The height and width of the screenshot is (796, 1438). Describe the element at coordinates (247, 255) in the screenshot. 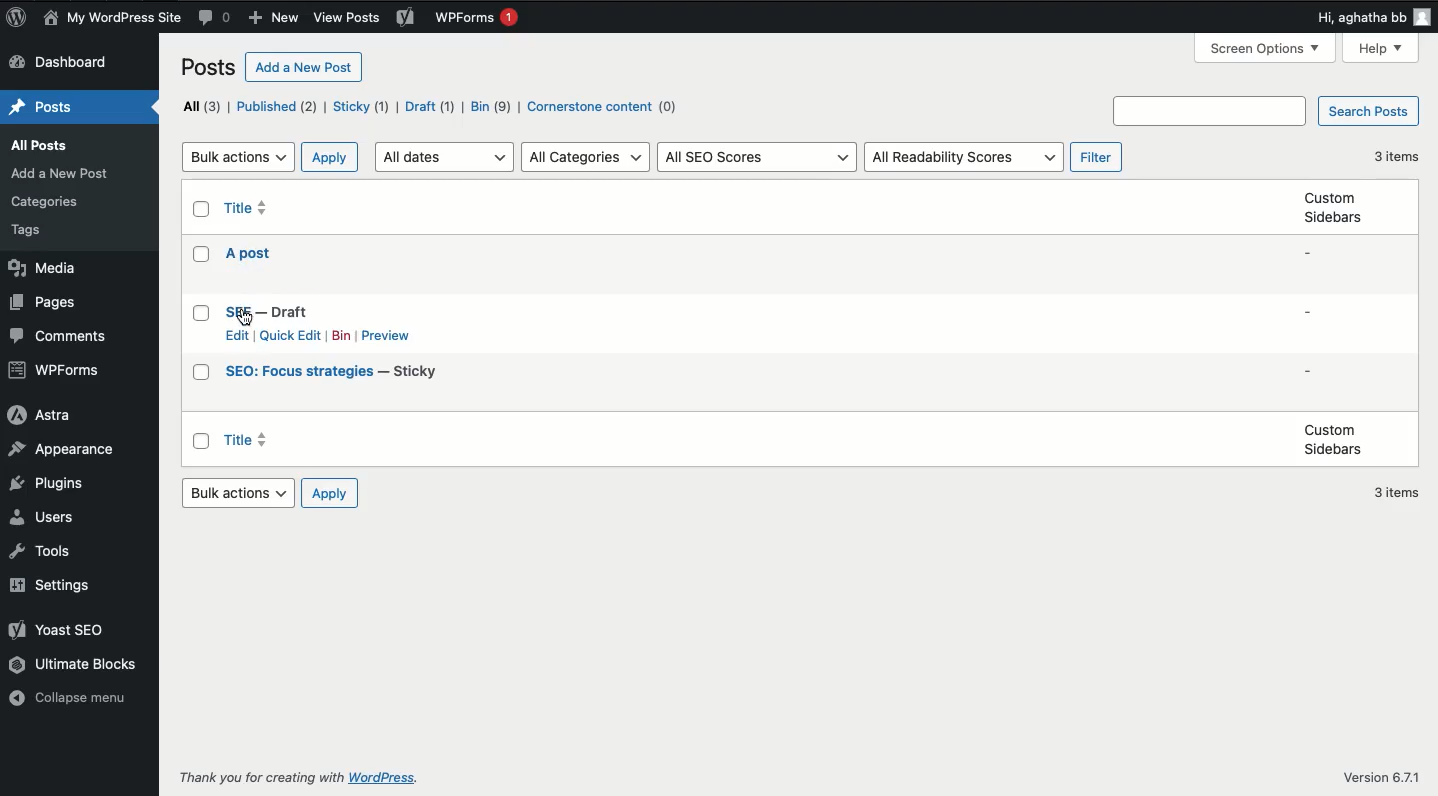

I see `A posts` at that location.